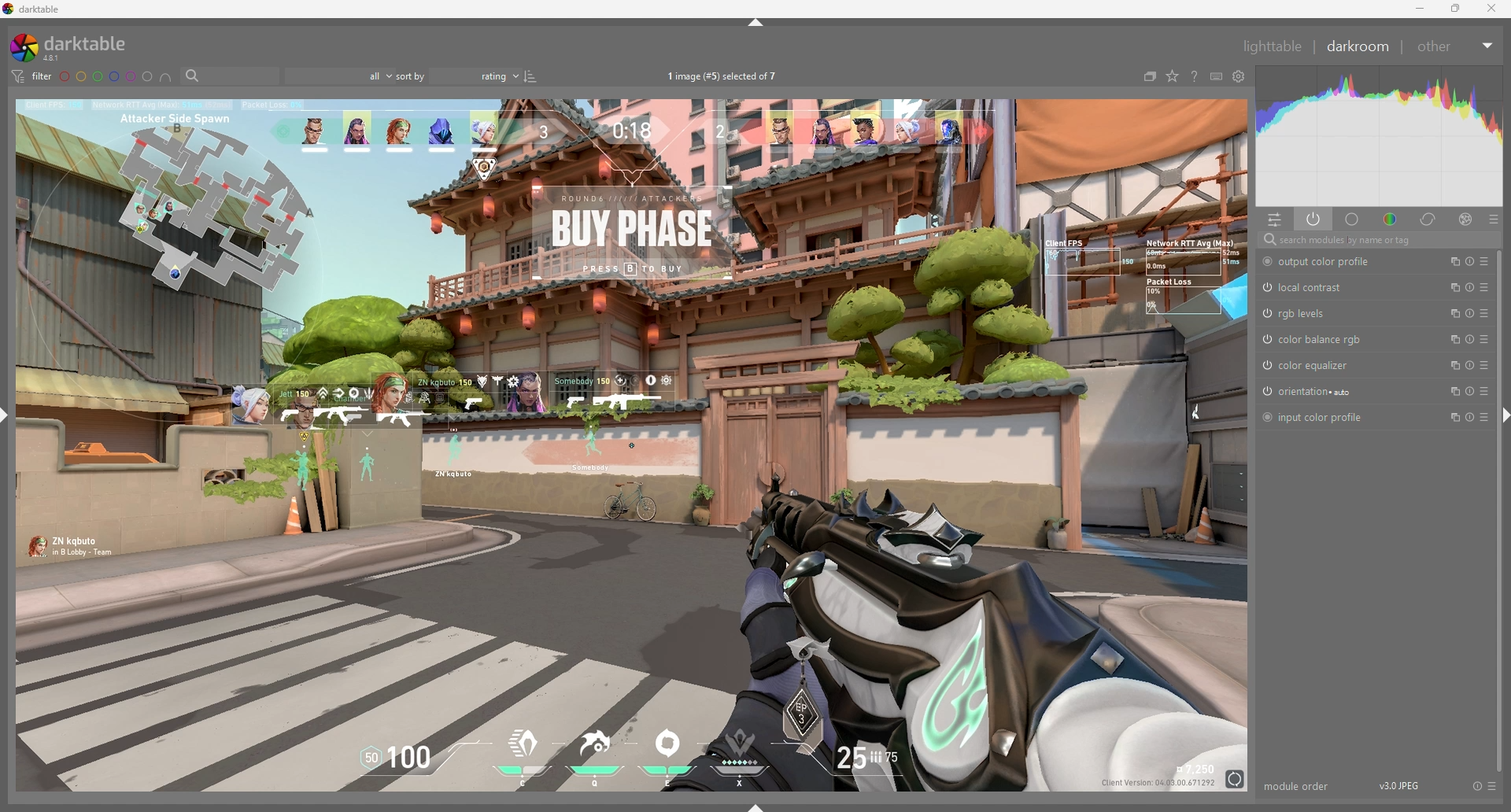 The image size is (1511, 812). What do you see at coordinates (1476, 786) in the screenshot?
I see `reset` at bounding box center [1476, 786].